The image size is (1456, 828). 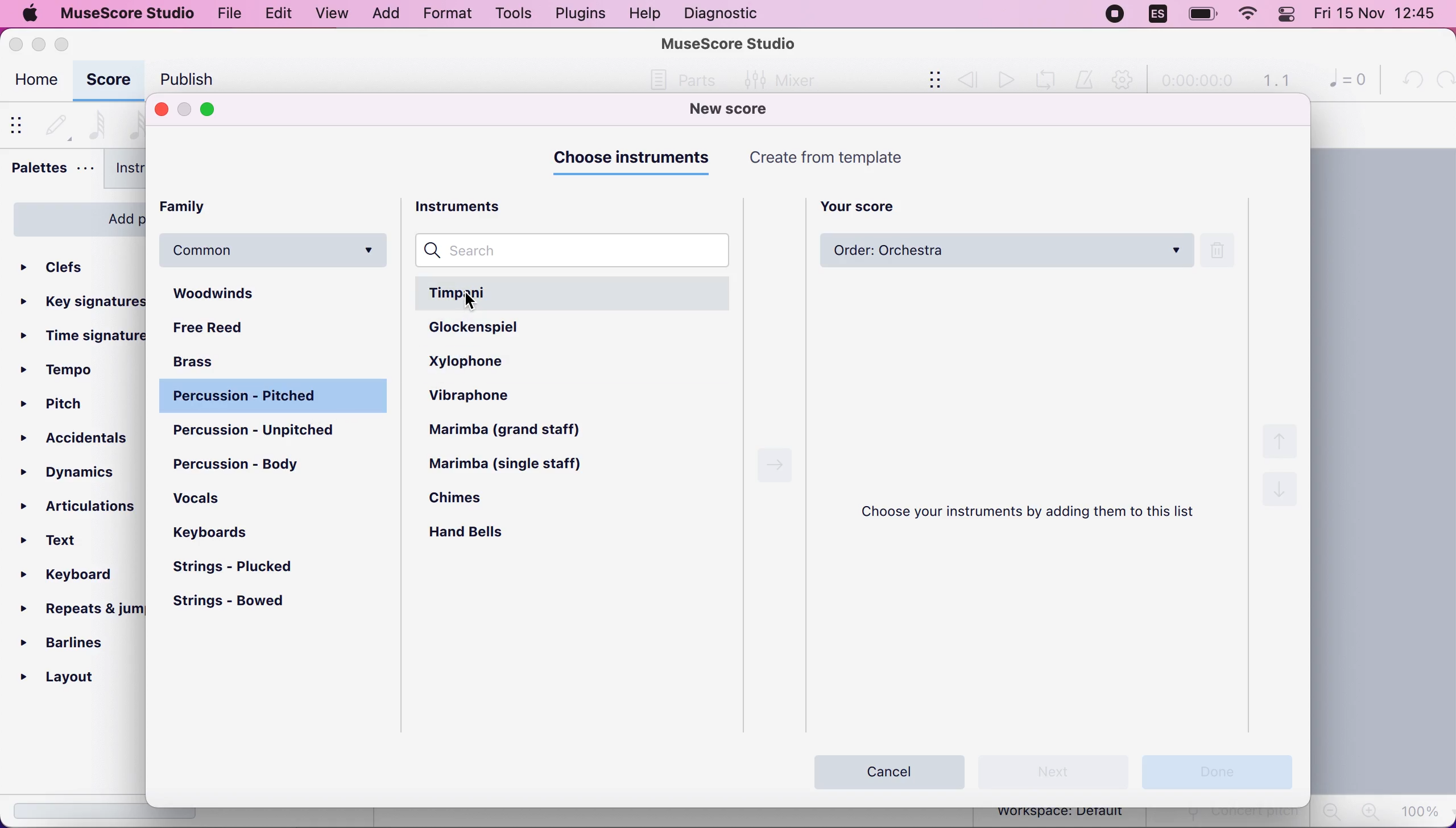 What do you see at coordinates (62, 370) in the screenshot?
I see `tempo` at bounding box center [62, 370].